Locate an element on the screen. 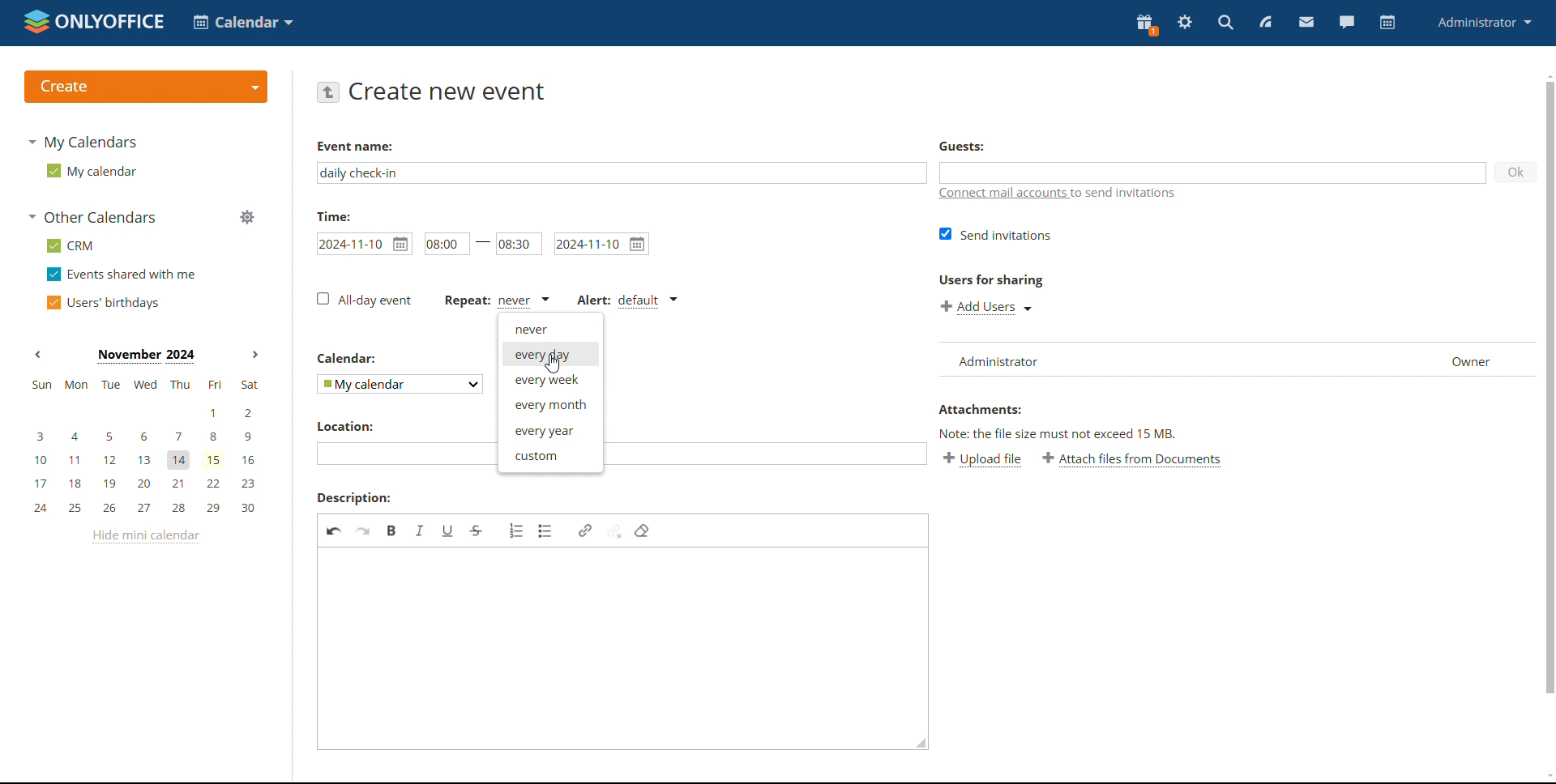  strikethrough is located at coordinates (477, 530).